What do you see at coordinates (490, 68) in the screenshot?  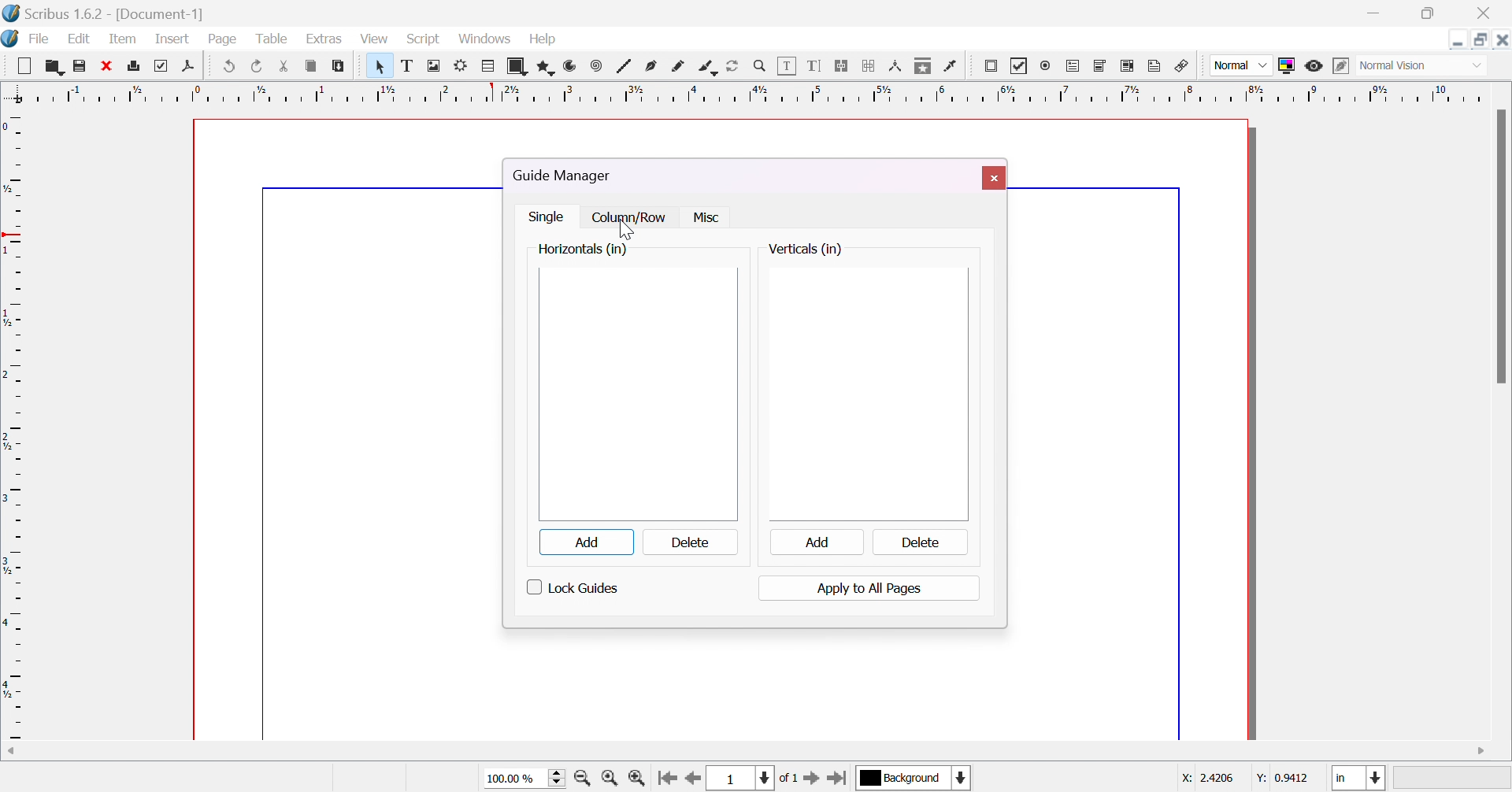 I see `table` at bounding box center [490, 68].